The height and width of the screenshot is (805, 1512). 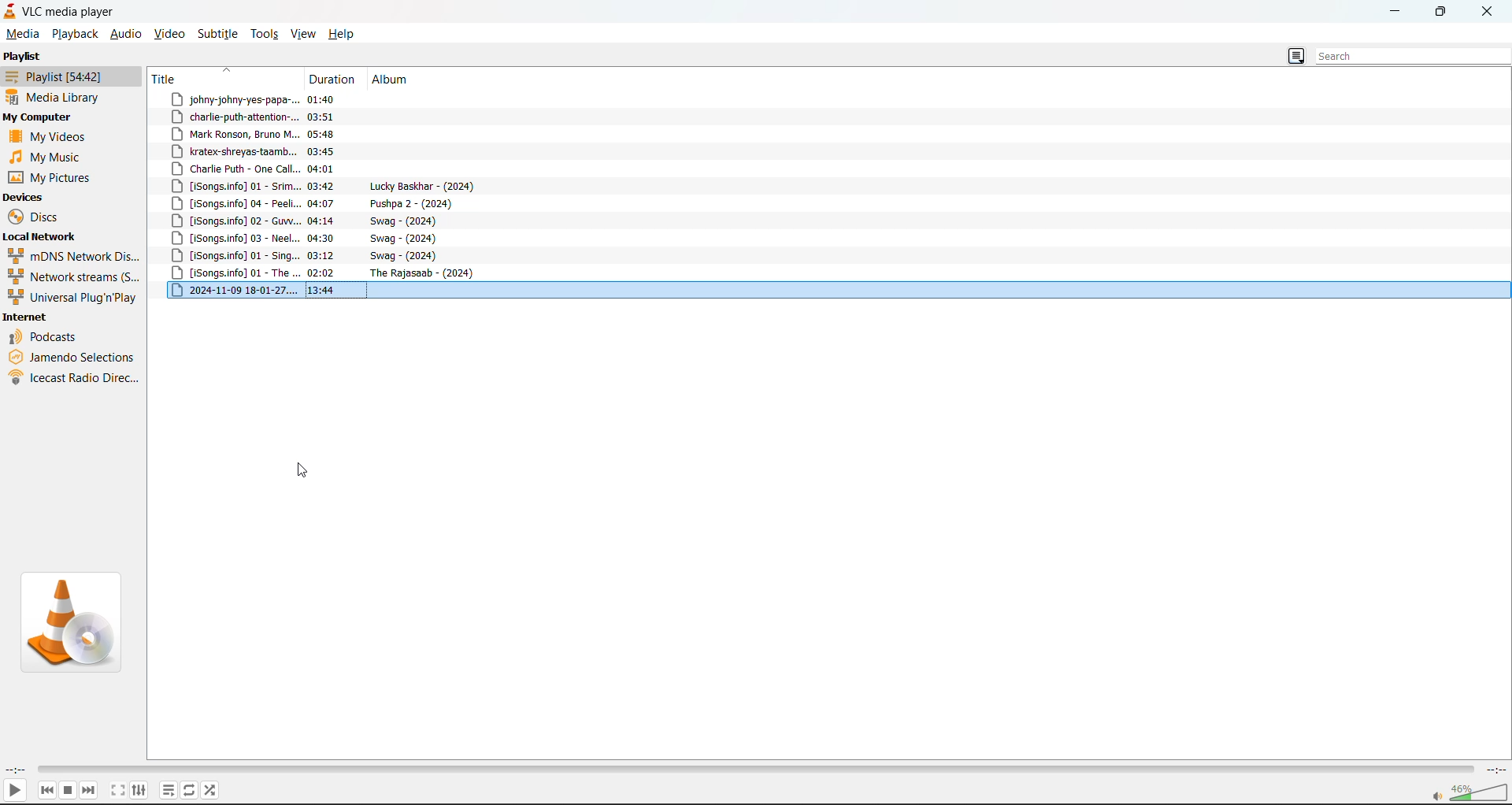 I want to click on media library, so click(x=55, y=96).